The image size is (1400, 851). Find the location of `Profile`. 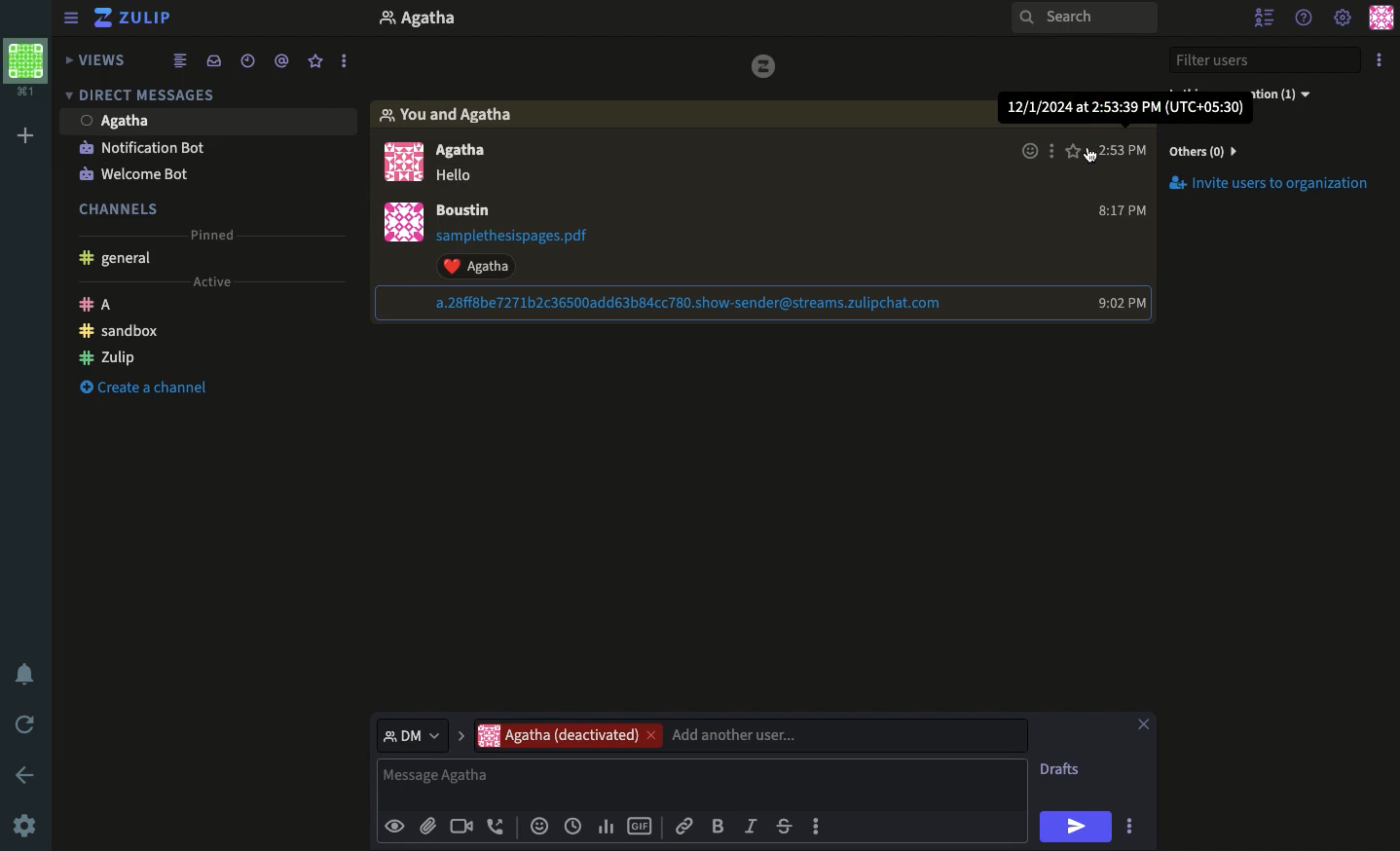

Profile is located at coordinates (400, 224).